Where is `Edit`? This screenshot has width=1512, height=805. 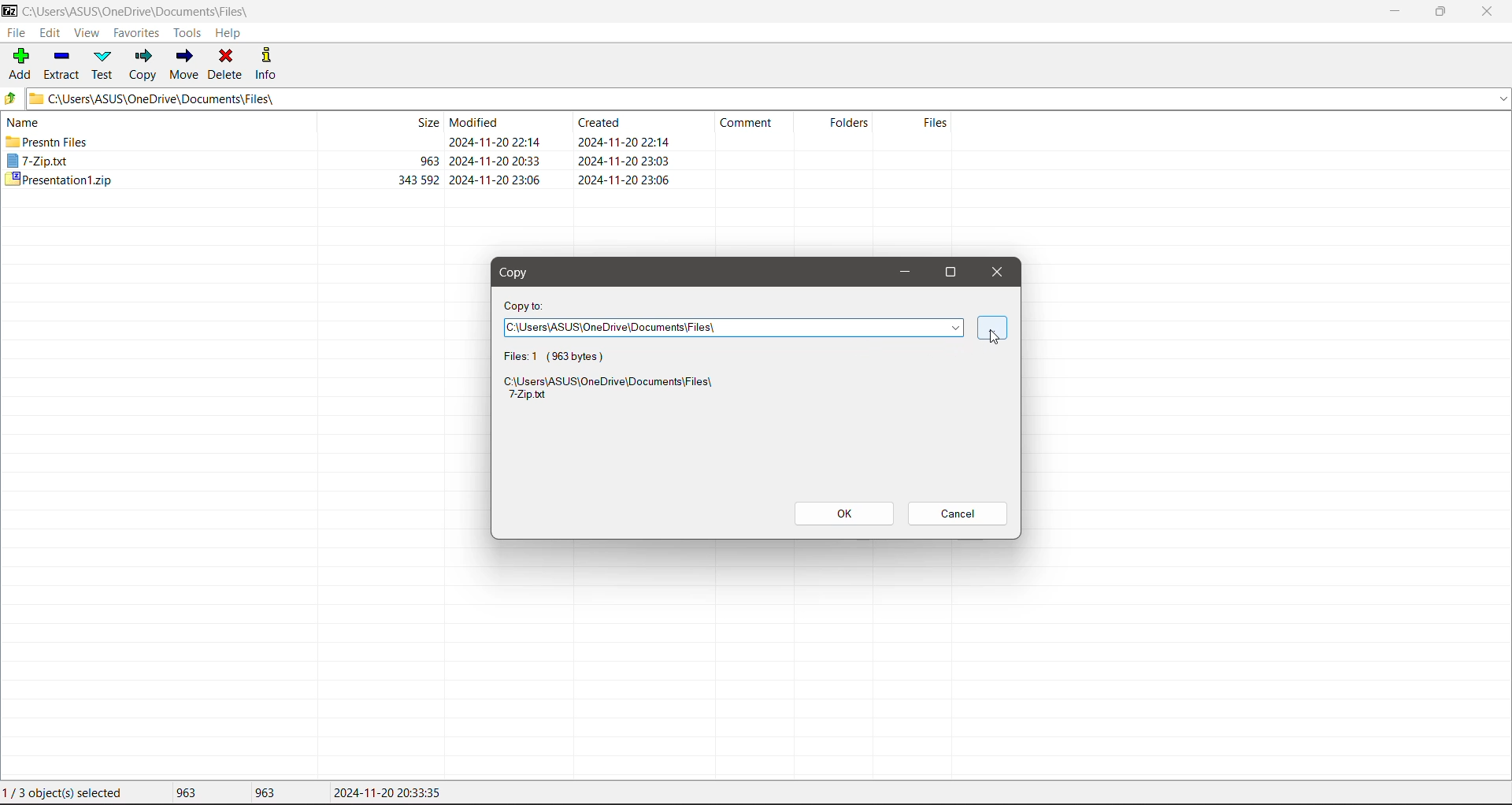
Edit is located at coordinates (53, 33).